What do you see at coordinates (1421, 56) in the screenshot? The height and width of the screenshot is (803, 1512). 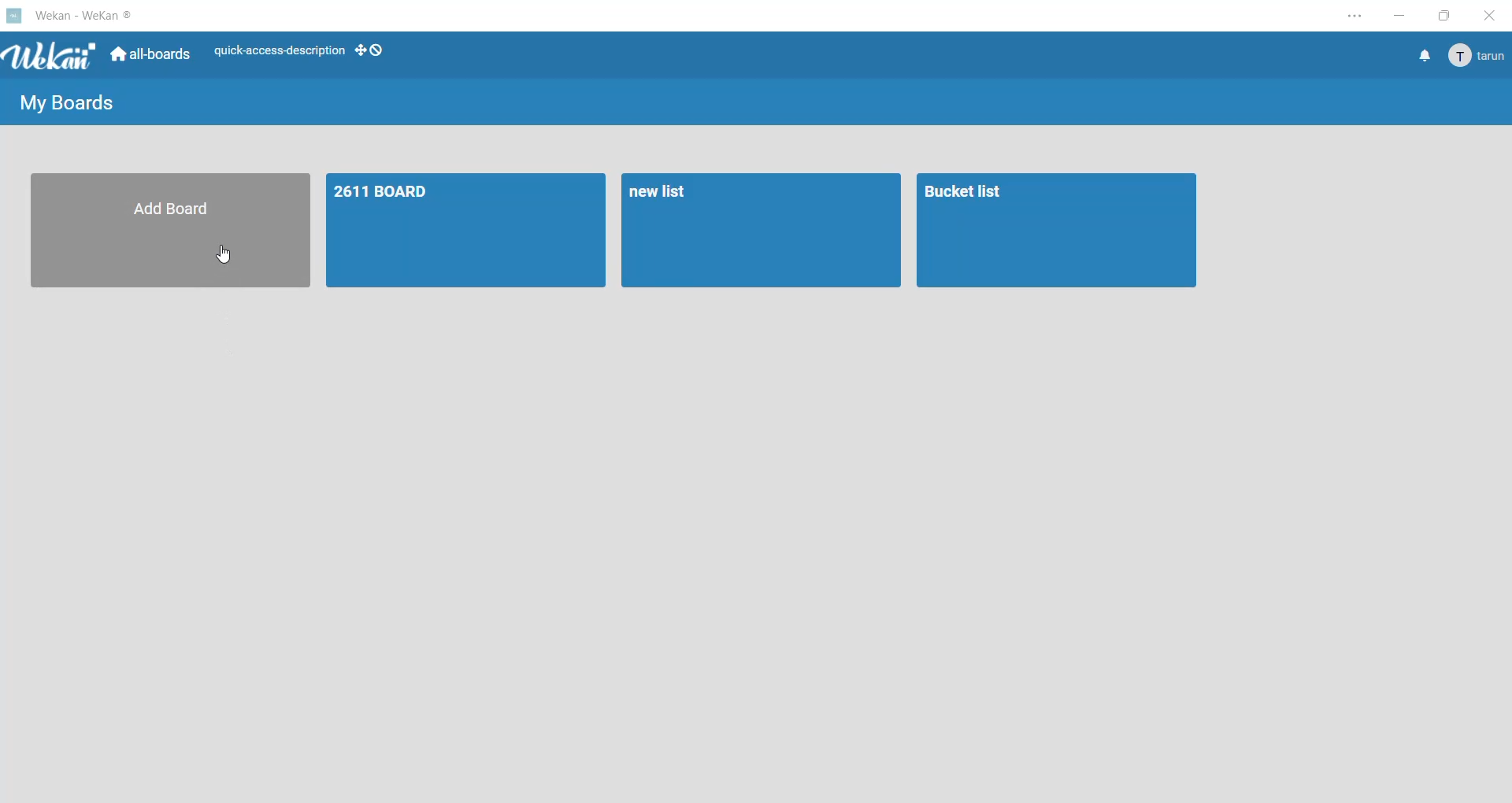 I see `notifications` at bounding box center [1421, 56].